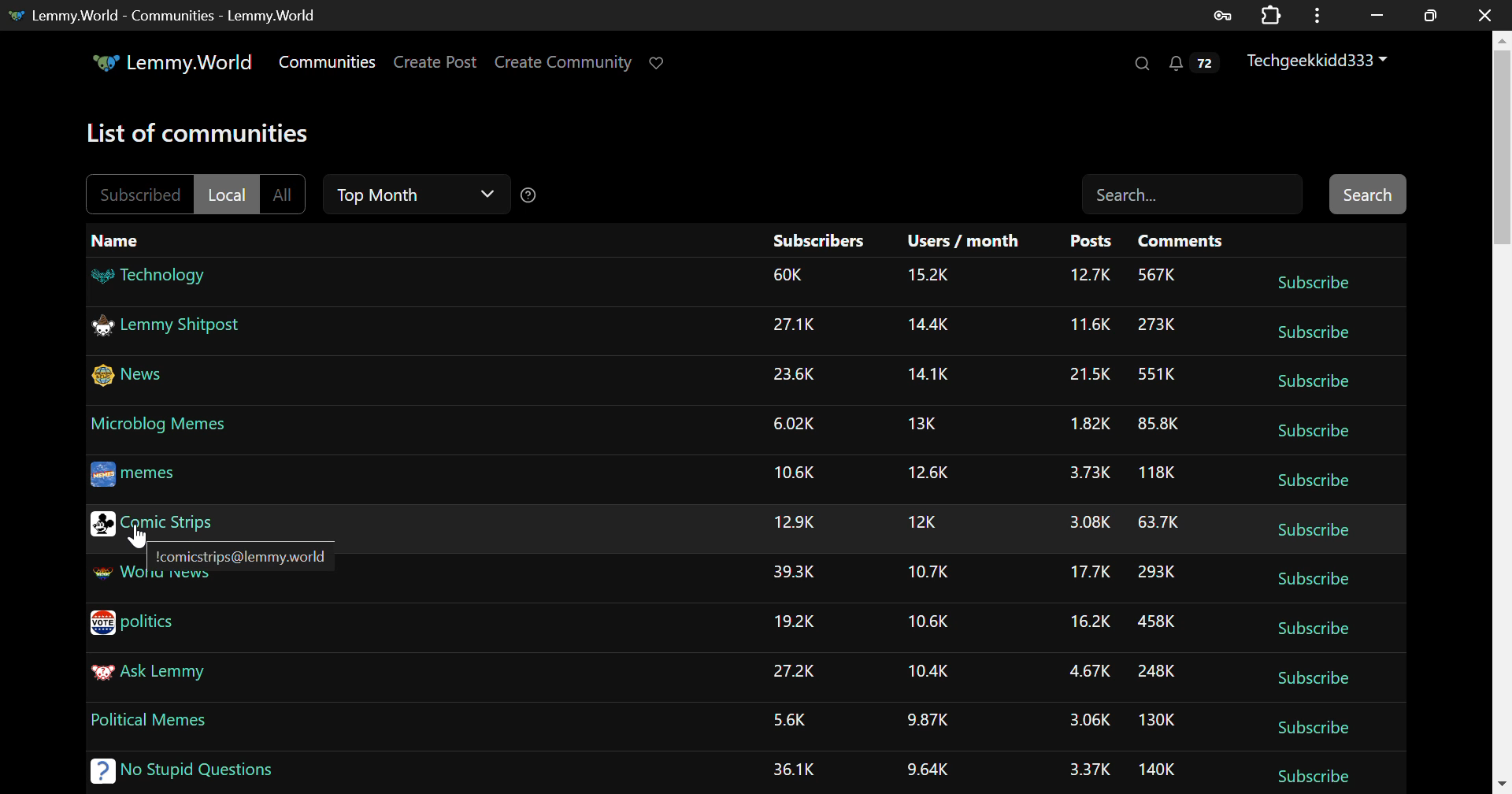 Image resolution: width=1512 pixels, height=794 pixels. What do you see at coordinates (795, 325) in the screenshot?
I see `Amount` at bounding box center [795, 325].